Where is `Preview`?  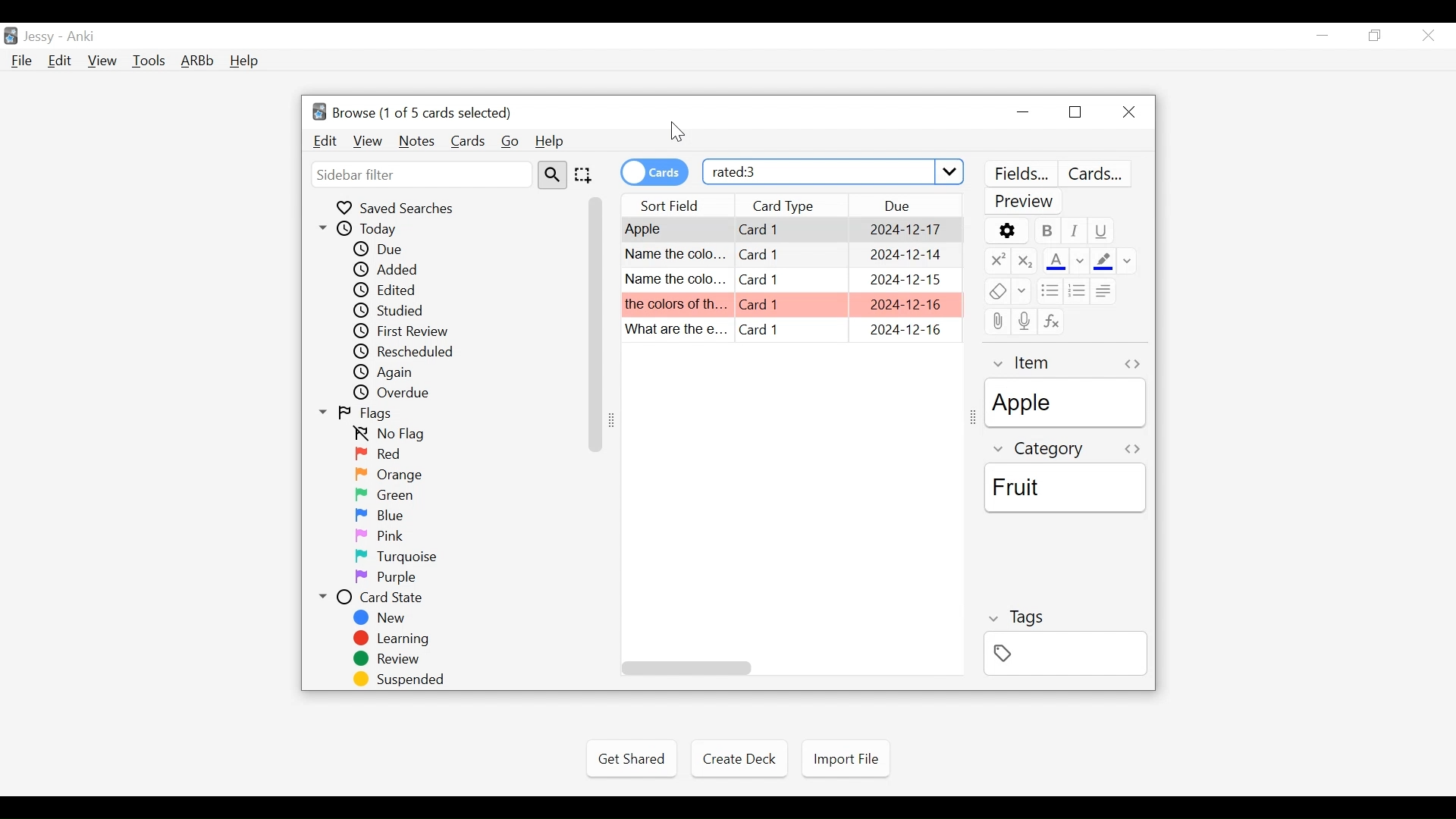 Preview is located at coordinates (1025, 202).